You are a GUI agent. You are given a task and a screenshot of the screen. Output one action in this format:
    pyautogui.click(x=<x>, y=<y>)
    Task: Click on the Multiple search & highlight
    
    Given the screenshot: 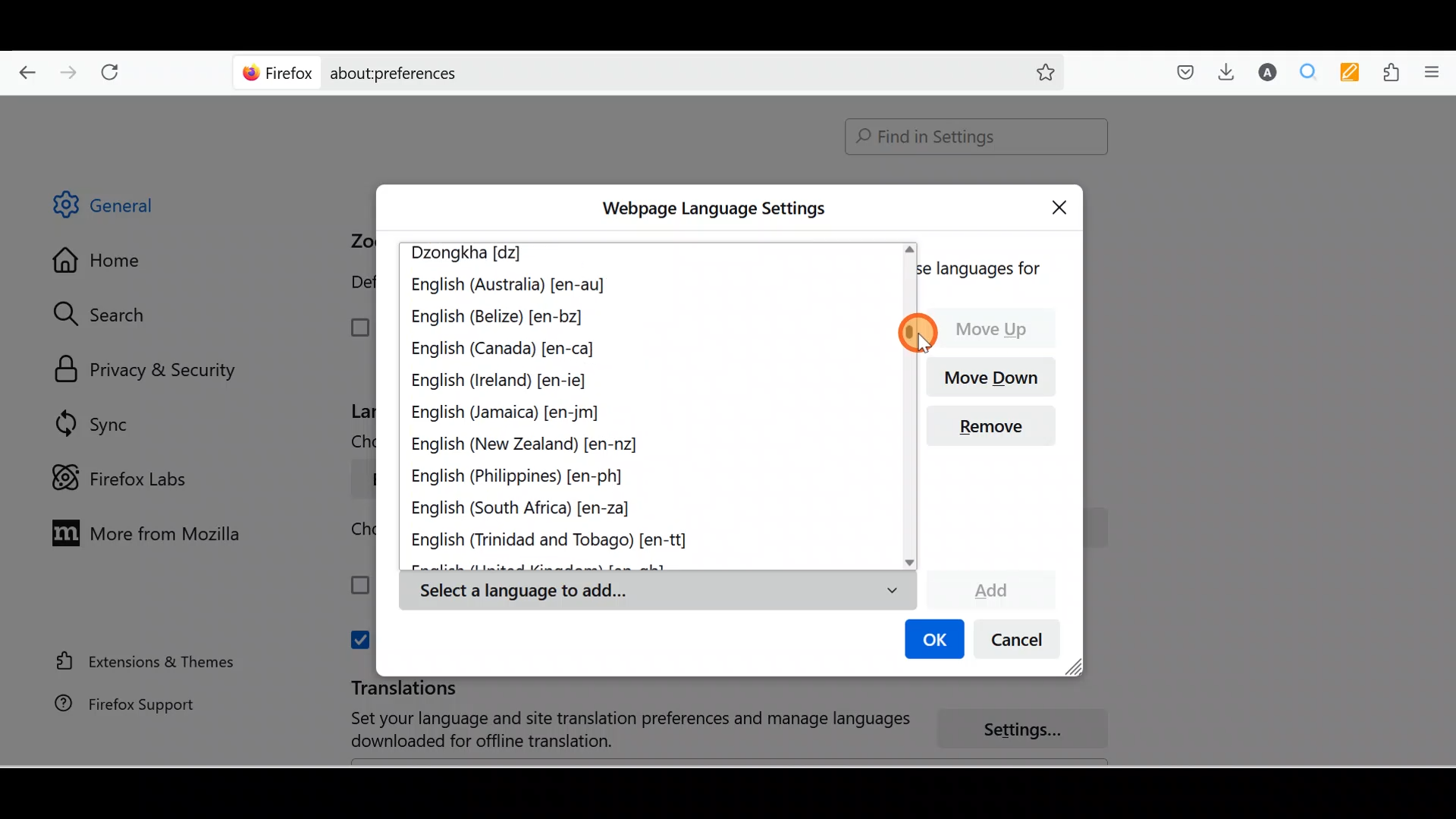 What is the action you would take?
    pyautogui.click(x=1309, y=71)
    